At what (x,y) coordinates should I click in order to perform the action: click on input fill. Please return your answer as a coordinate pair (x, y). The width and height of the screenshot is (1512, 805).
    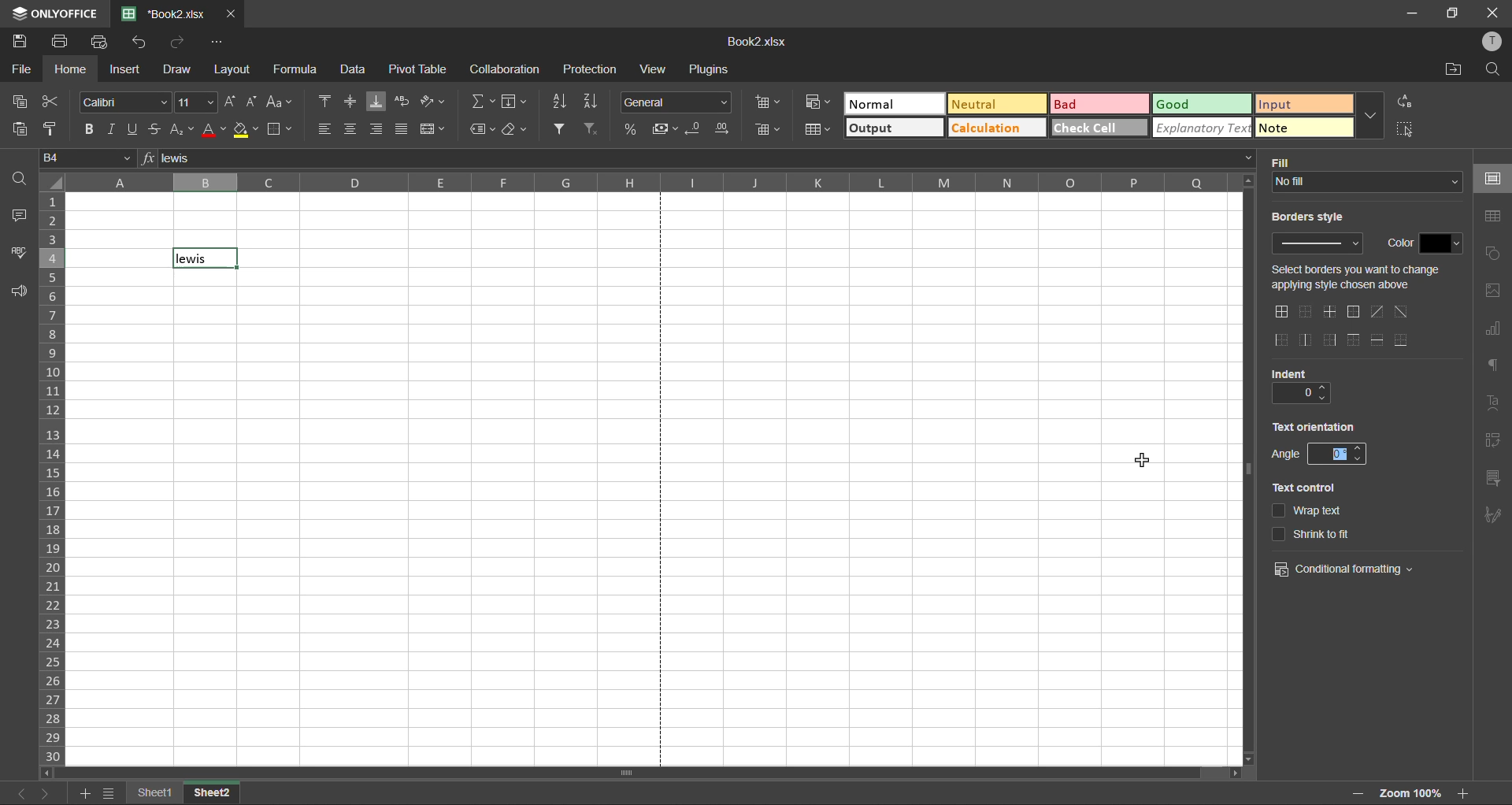
    Looking at the image, I should click on (1365, 182).